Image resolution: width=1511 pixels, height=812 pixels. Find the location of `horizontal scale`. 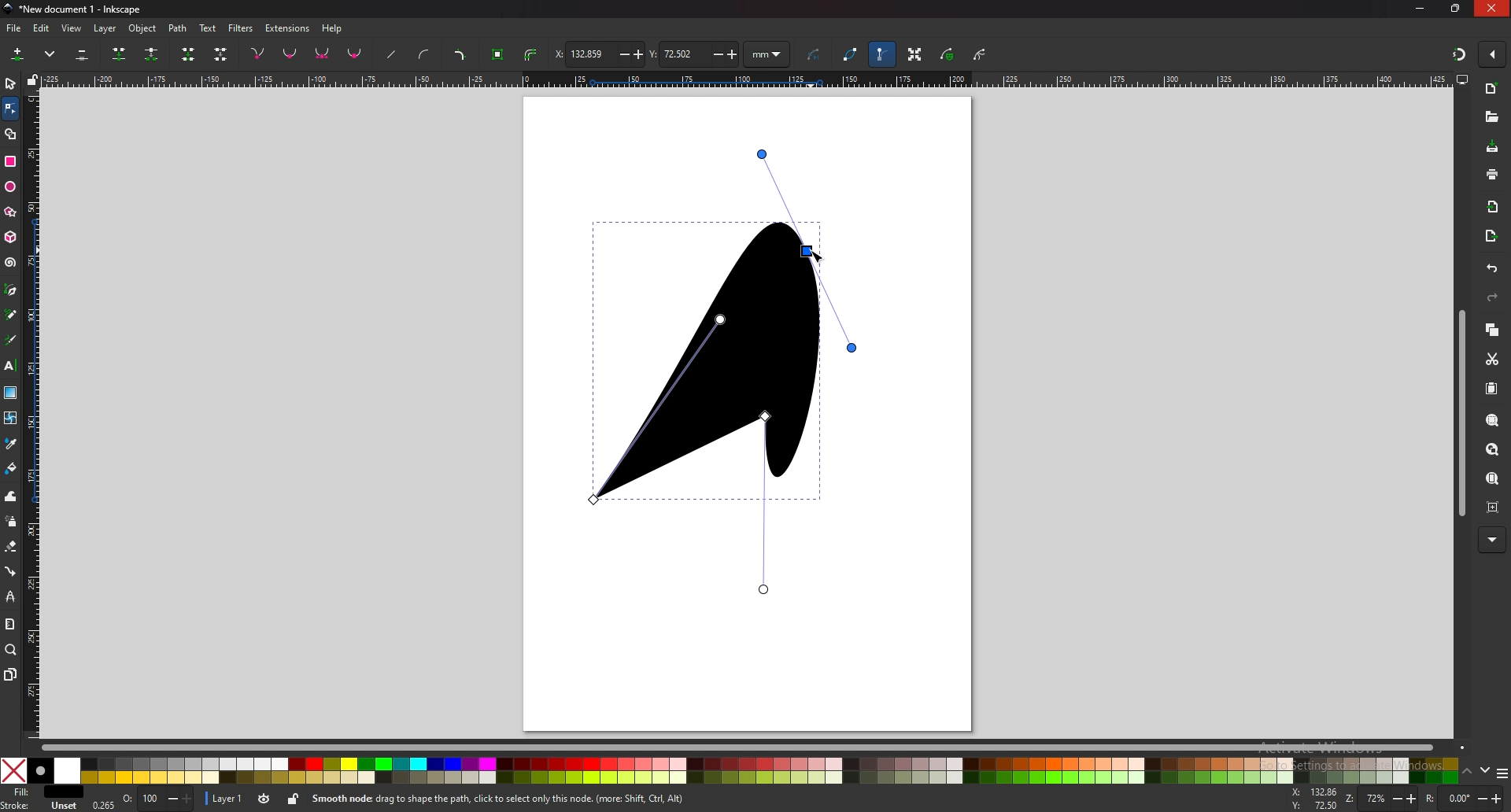

horizontal scale is located at coordinates (744, 79).